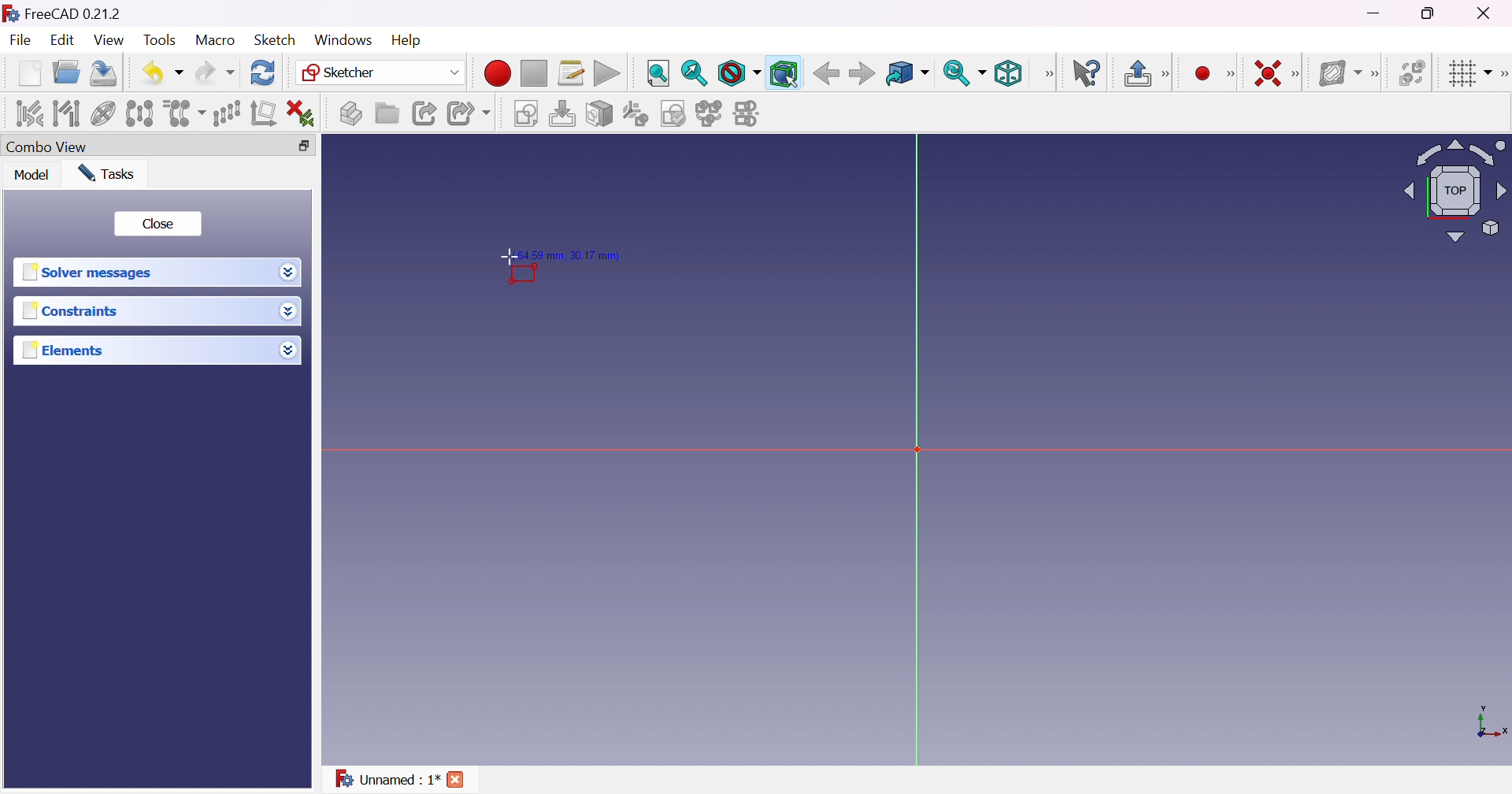 The height and width of the screenshot is (794, 1512). I want to click on Draw style, so click(738, 73).